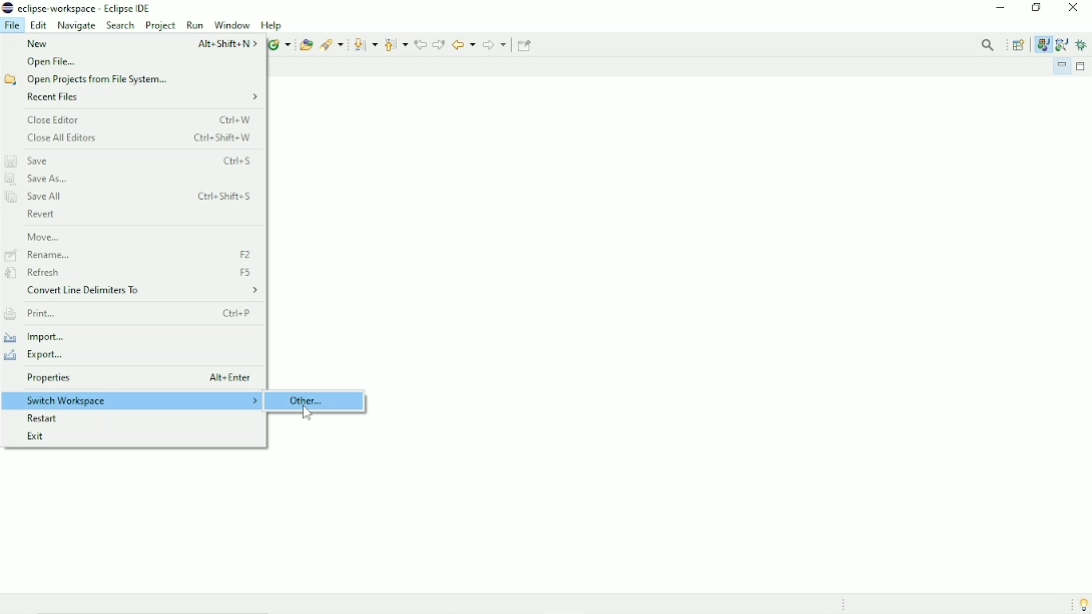  Describe the element at coordinates (139, 379) in the screenshot. I see `Properties` at that location.